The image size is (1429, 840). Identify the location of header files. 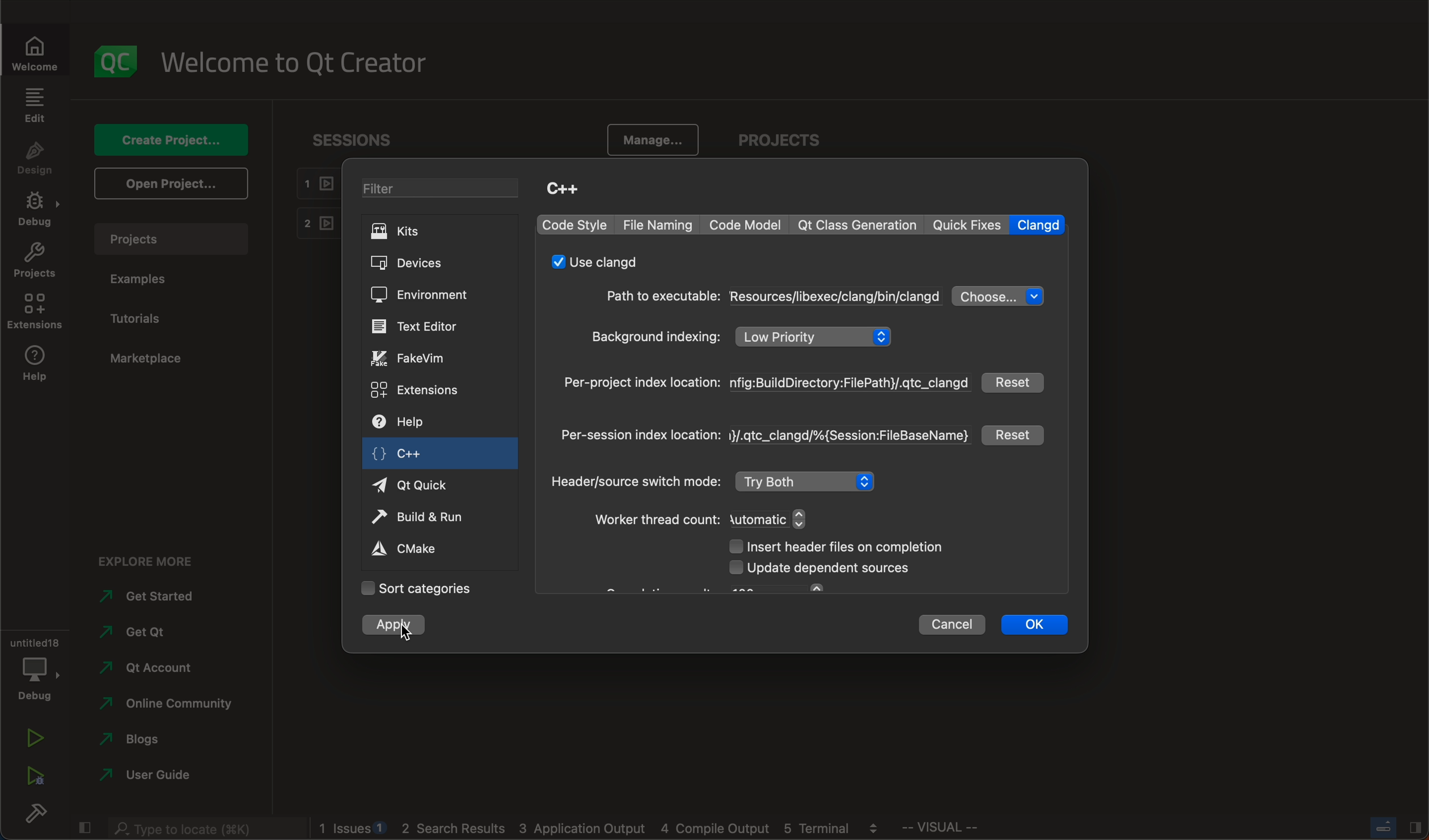
(856, 549).